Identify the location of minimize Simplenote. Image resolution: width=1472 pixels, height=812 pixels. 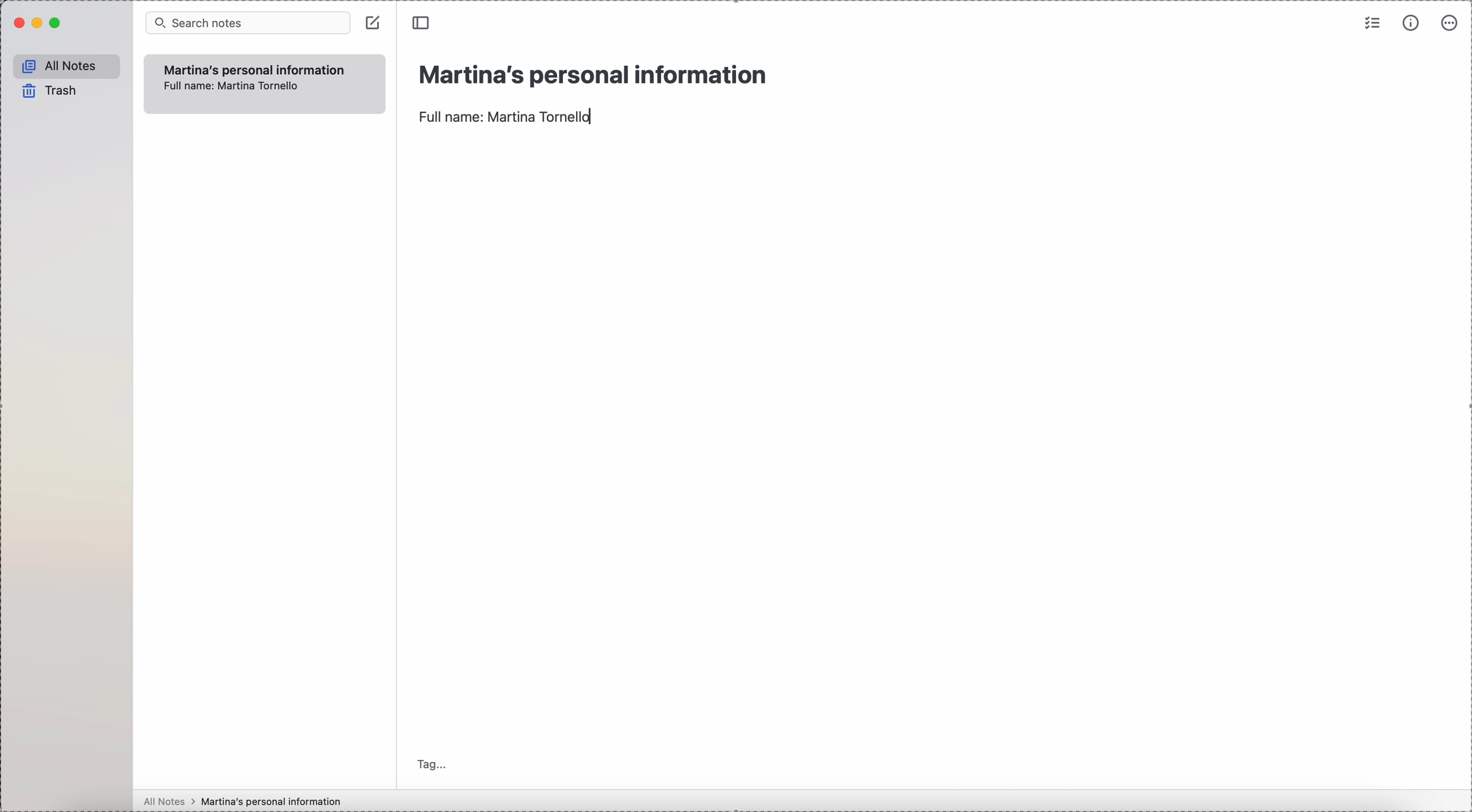
(39, 23).